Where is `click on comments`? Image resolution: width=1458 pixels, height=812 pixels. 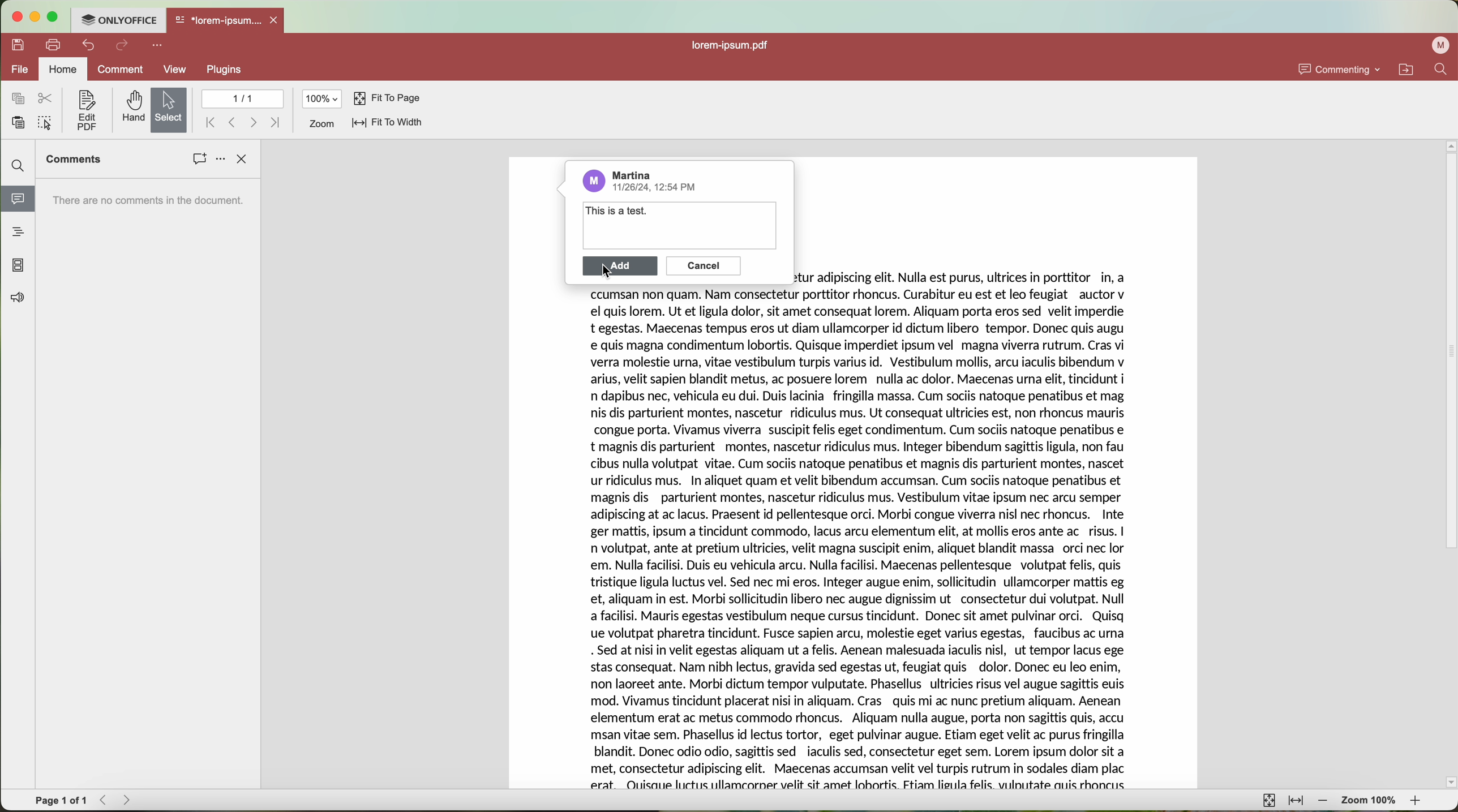
click on comments is located at coordinates (199, 160).